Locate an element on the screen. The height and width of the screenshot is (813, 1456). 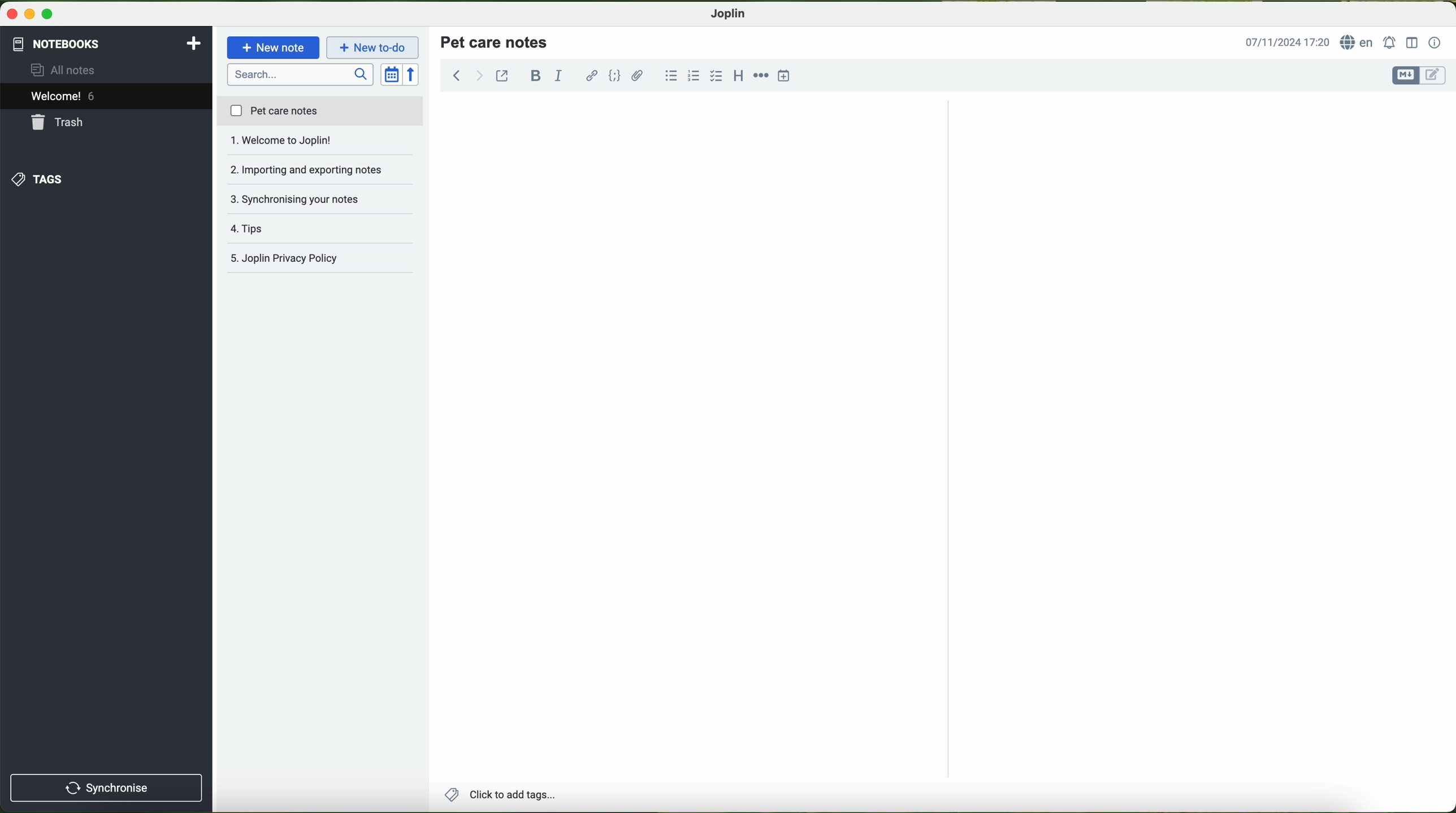
heading is located at coordinates (739, 75).